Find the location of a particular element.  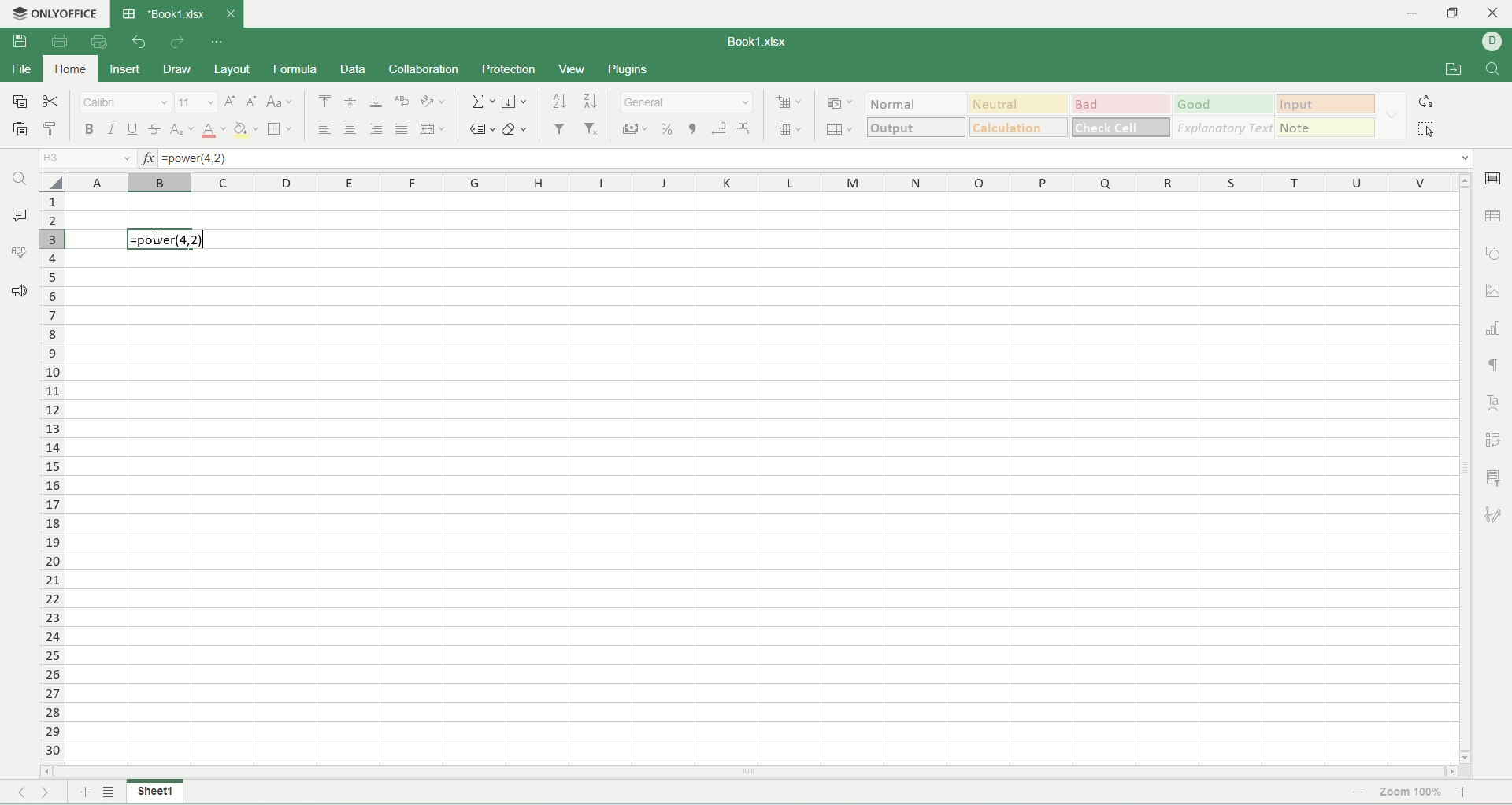

select all is located at coordinates (53, 183).